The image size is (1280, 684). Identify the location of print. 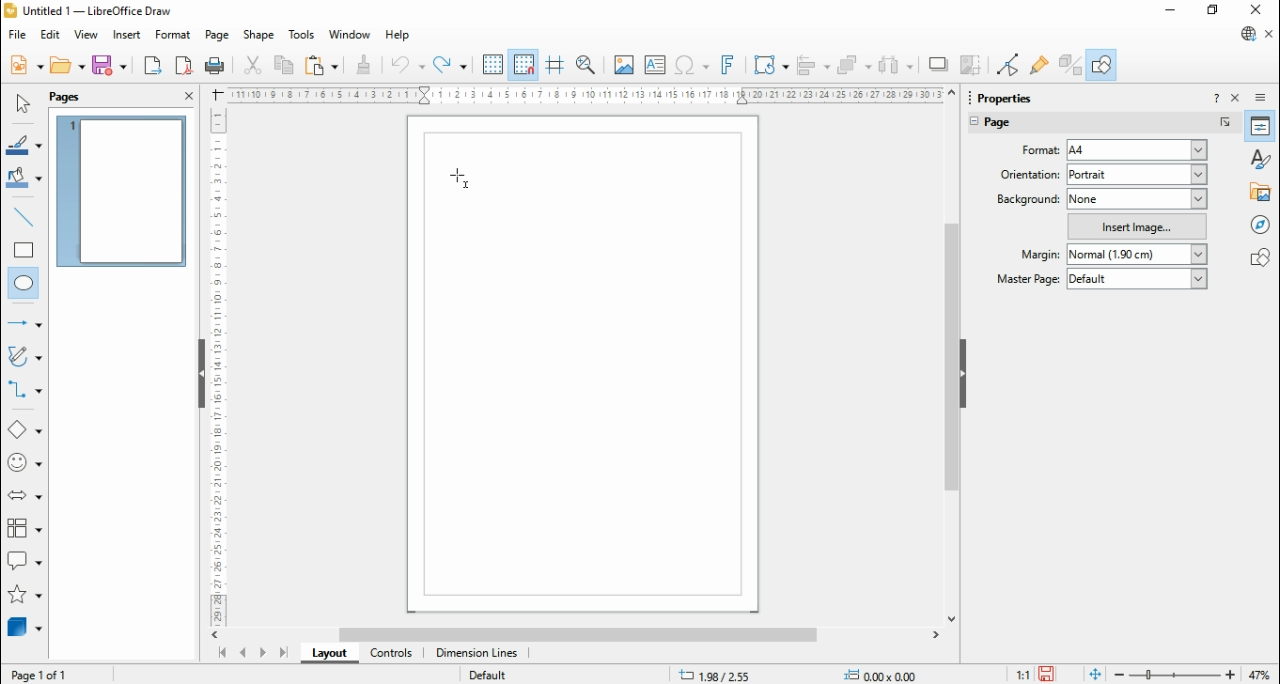
(214, 65).